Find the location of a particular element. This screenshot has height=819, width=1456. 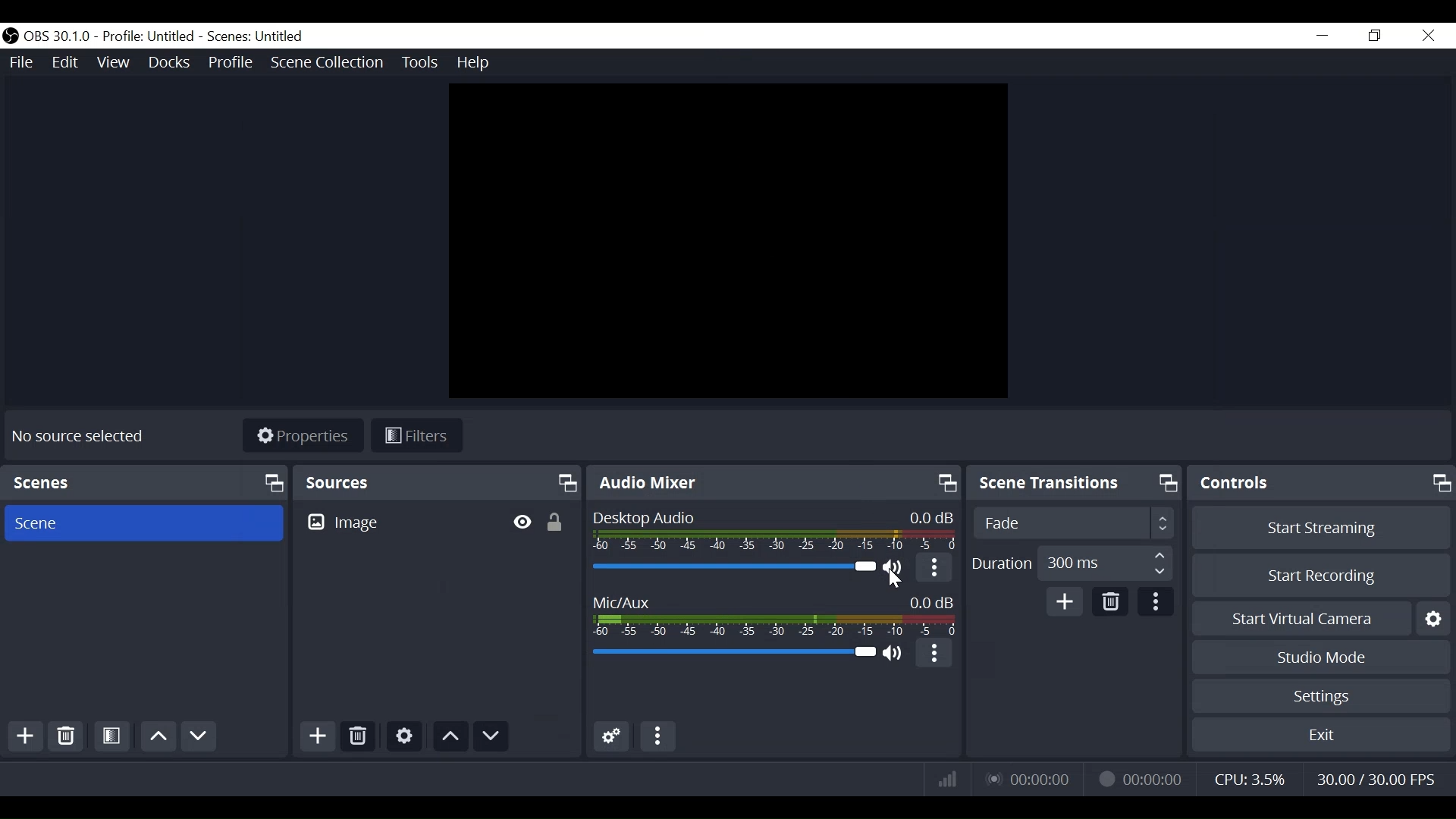

more Options is located at coordinates (1155, 603).